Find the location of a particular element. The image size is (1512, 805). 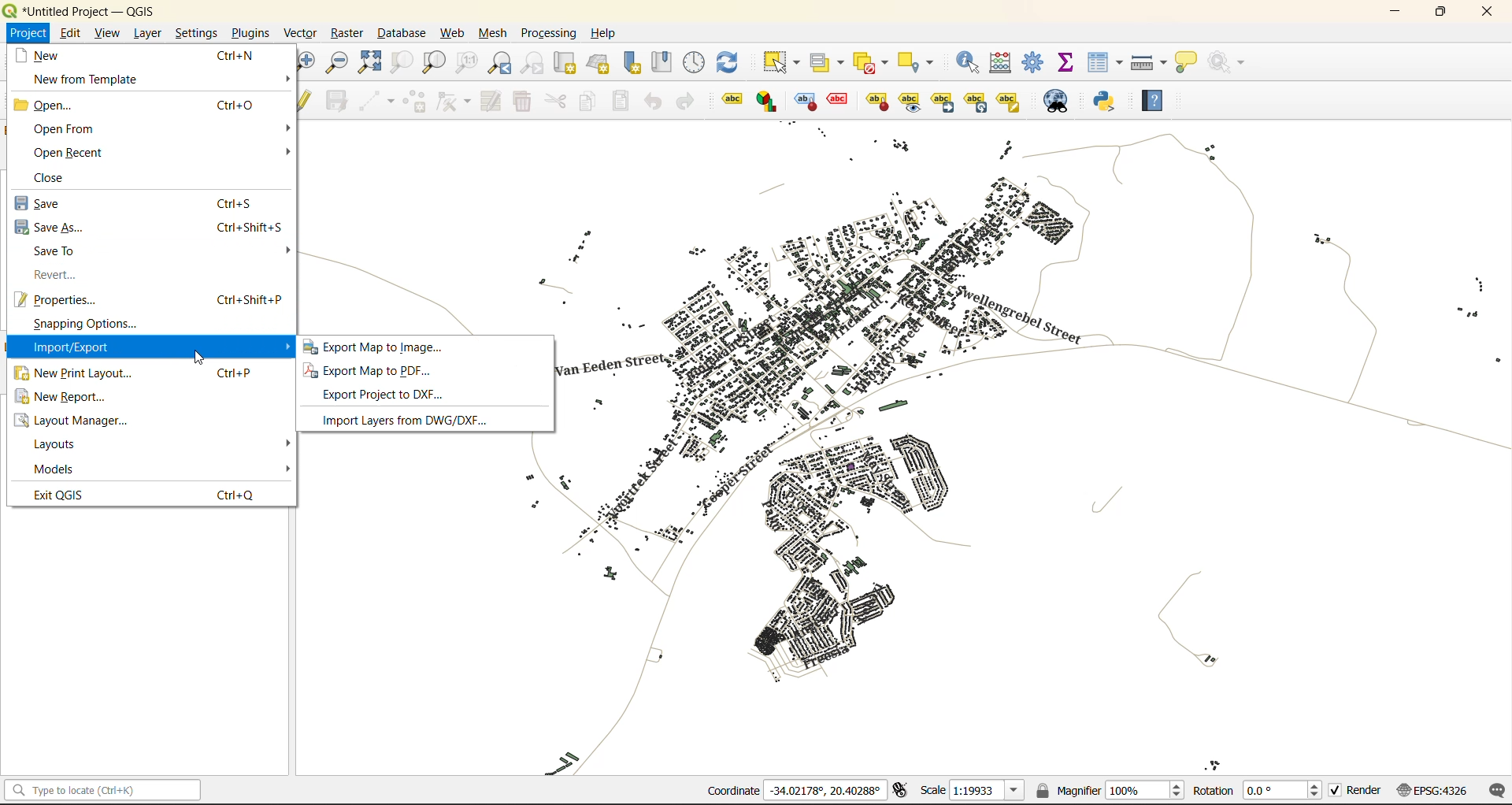

refresh is located at coordinates (732, 63).